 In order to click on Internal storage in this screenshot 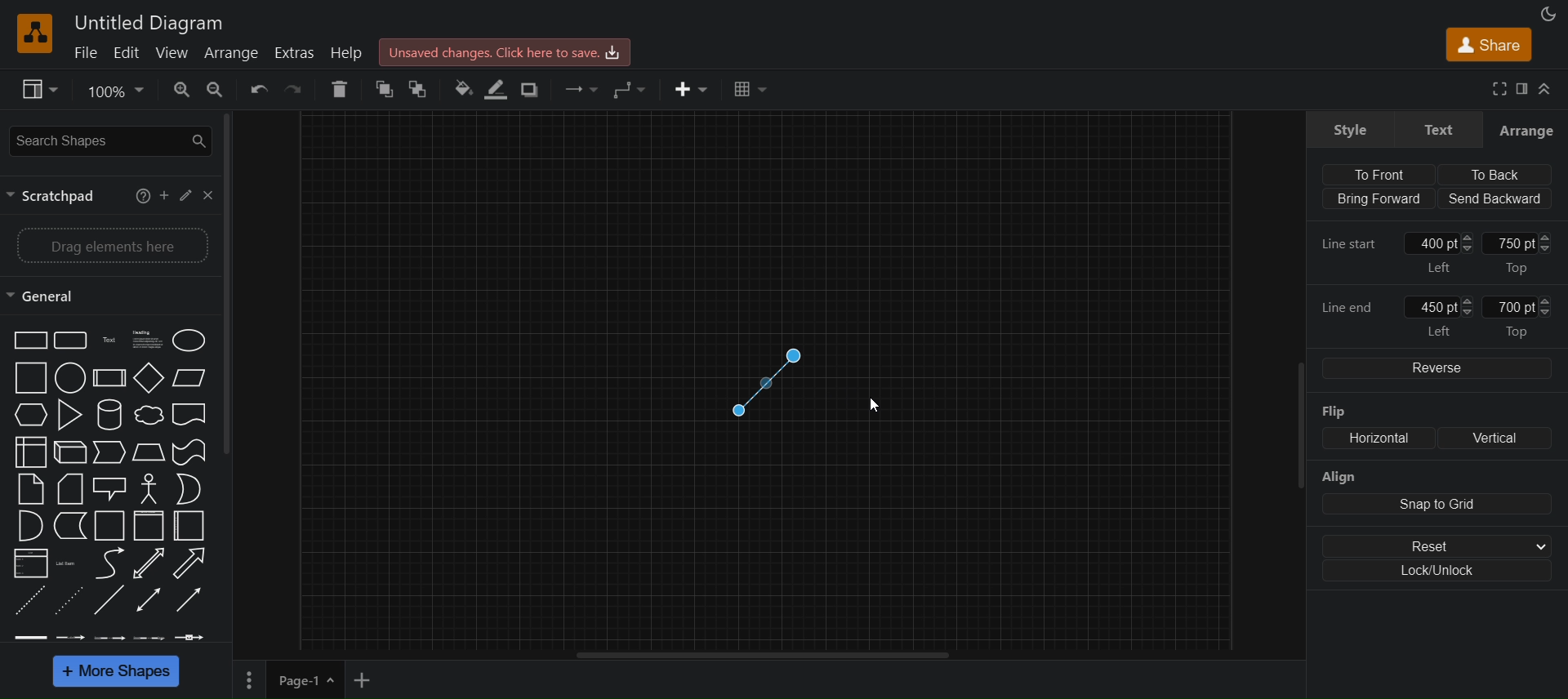, I will do `click(29, 452)`.